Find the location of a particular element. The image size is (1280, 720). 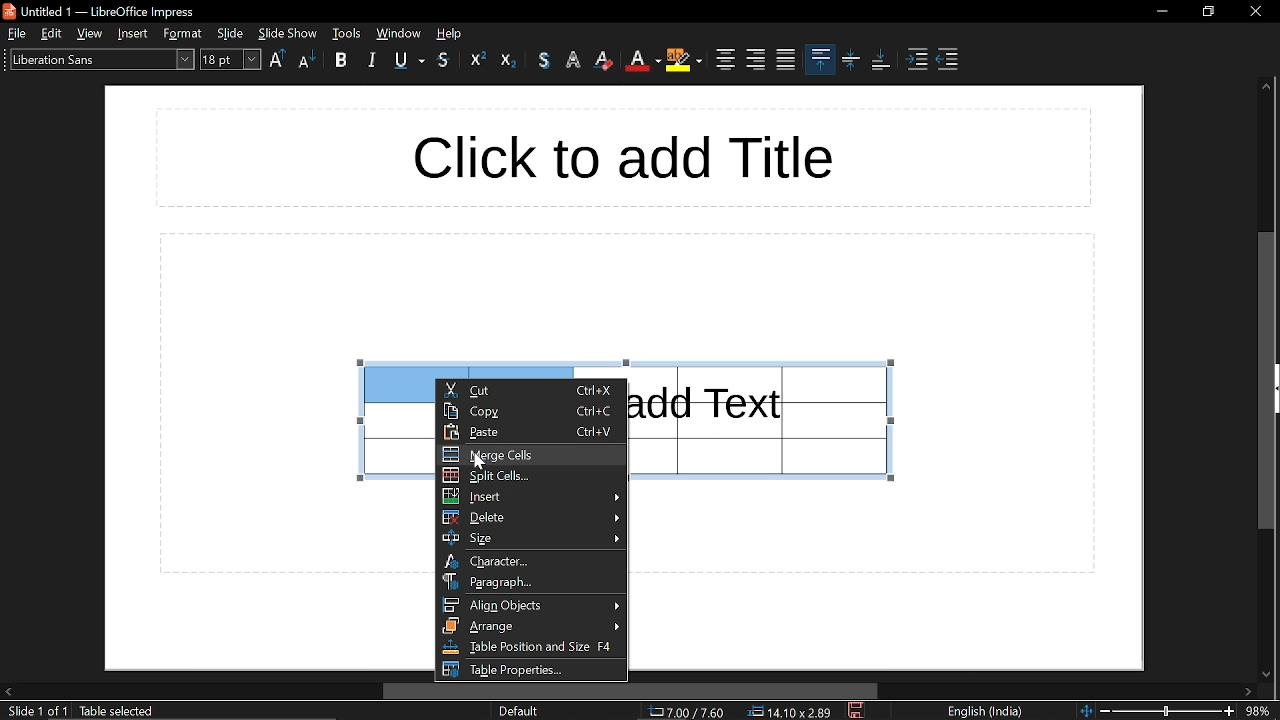

Uppercase is located at coordinates (278, 60).